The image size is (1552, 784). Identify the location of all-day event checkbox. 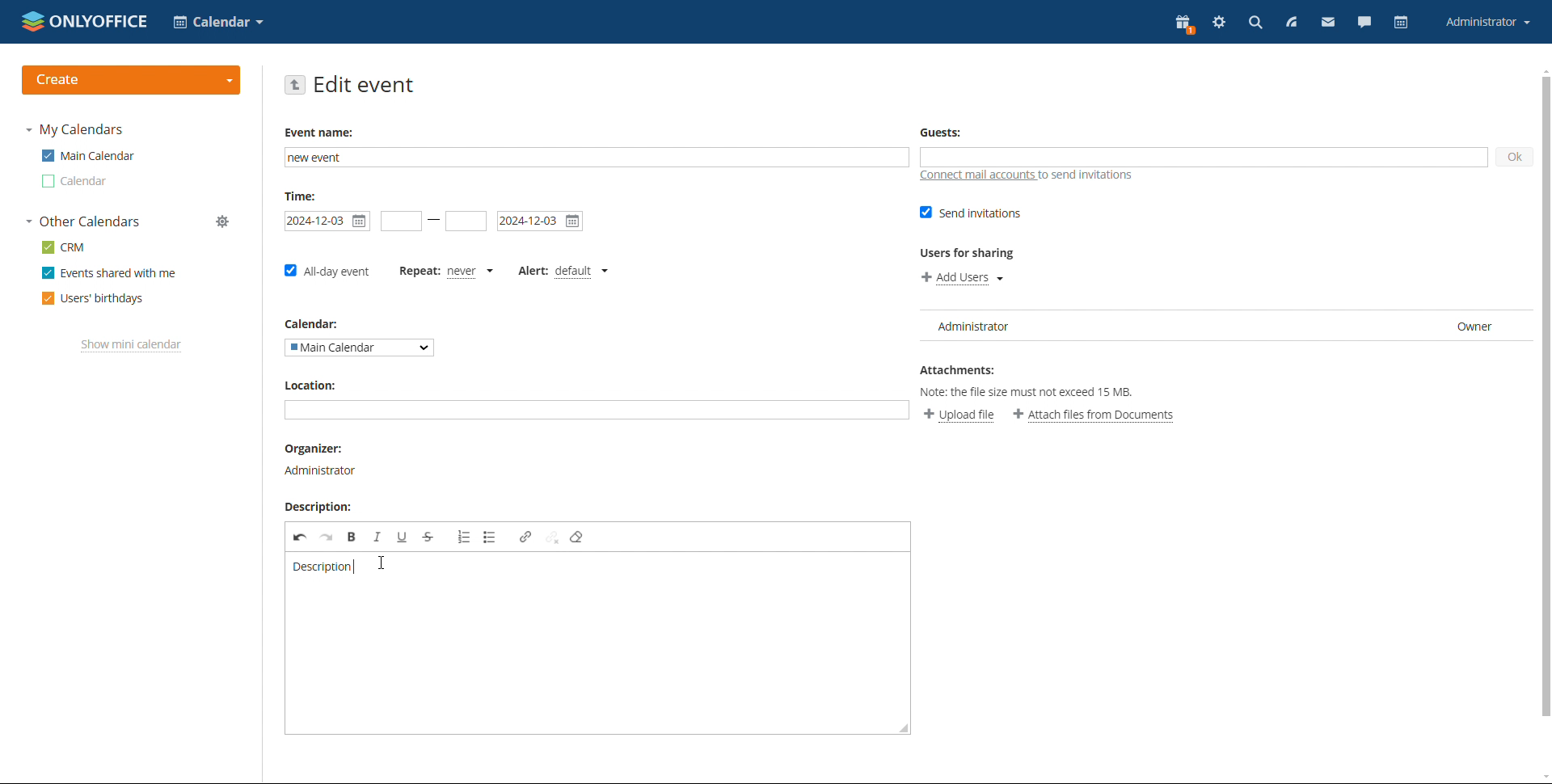
(326, 272).